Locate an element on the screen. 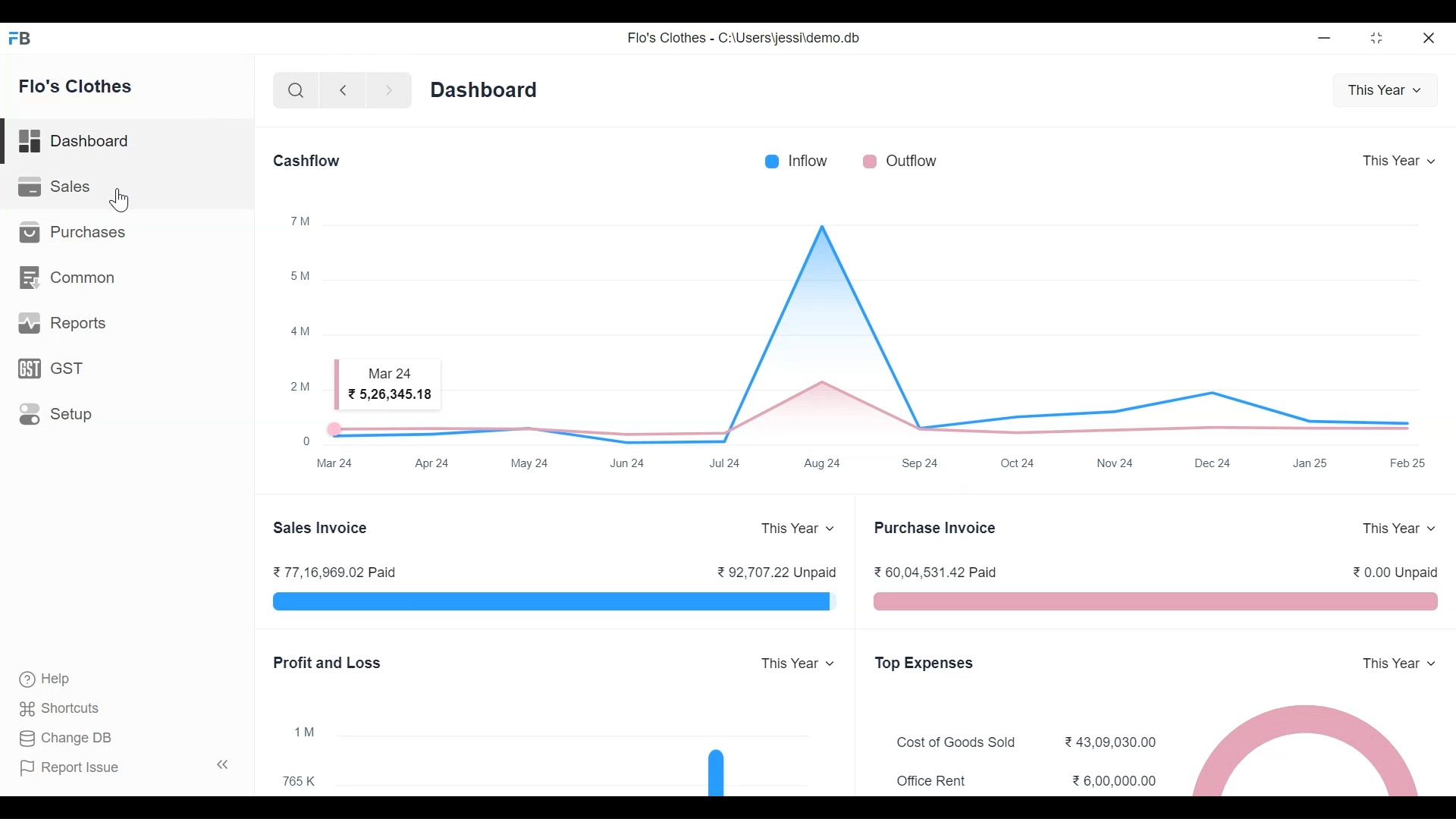 The width and height of the screenshot is (1456, 819). Dashboard is located at coordinates (485, 90).